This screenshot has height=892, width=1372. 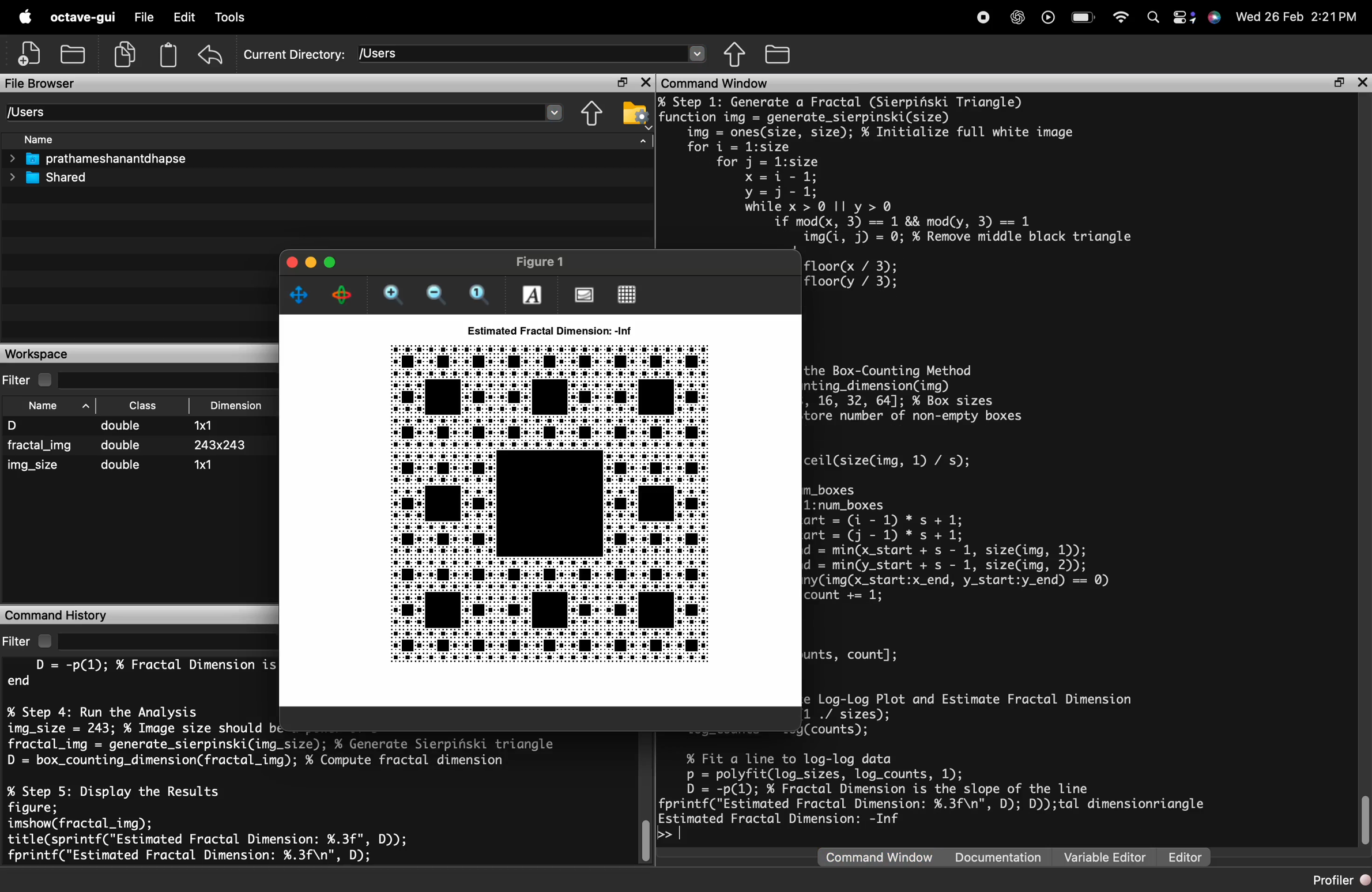 What do you see at coordinates (28, 642) in the screenshot?
I see `Filter` at bounding box center [28, 642].